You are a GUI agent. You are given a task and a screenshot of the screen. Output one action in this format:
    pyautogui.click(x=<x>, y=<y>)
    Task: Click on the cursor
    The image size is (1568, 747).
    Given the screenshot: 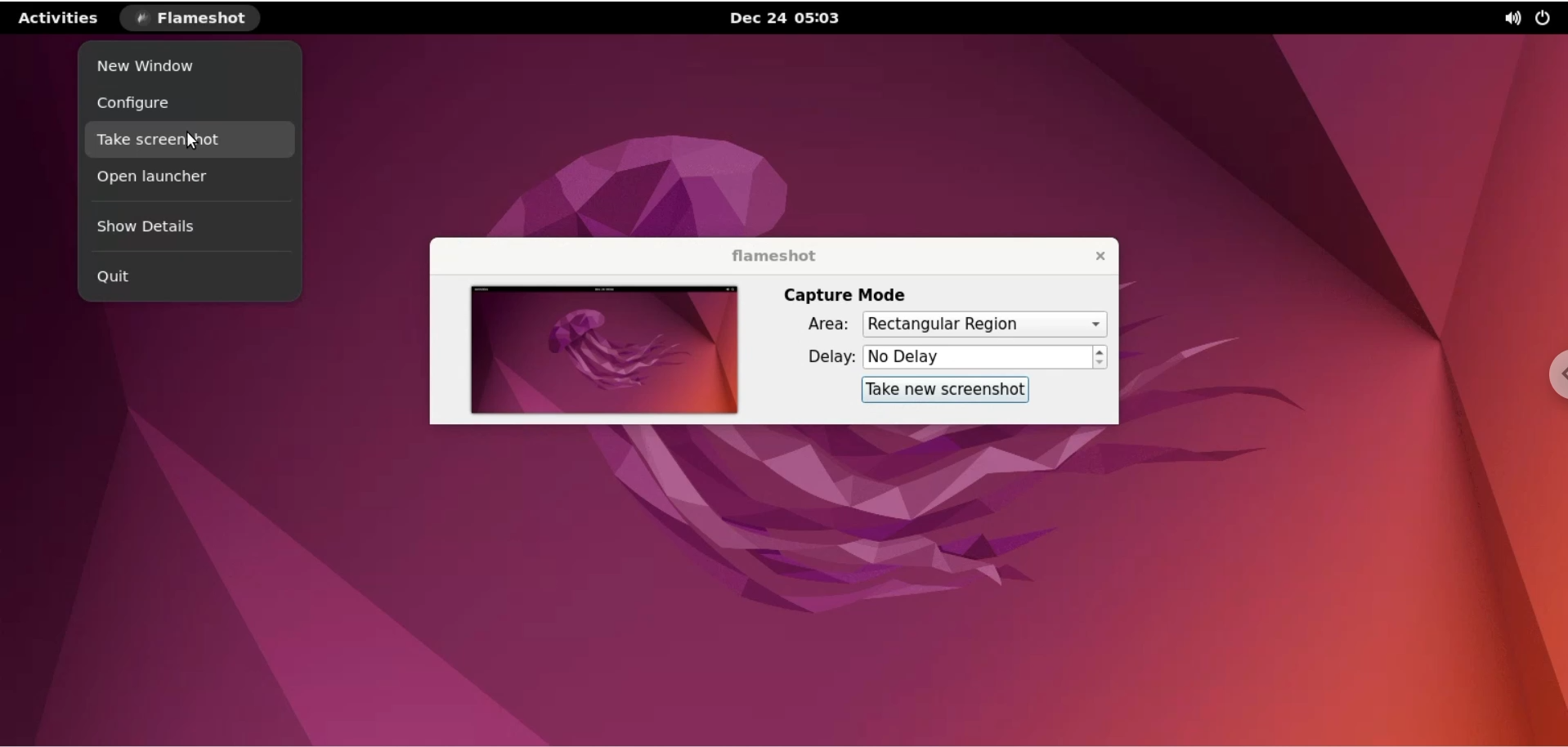 What is the action you would take?
    pyautogui.click(x=196, y=142)
    